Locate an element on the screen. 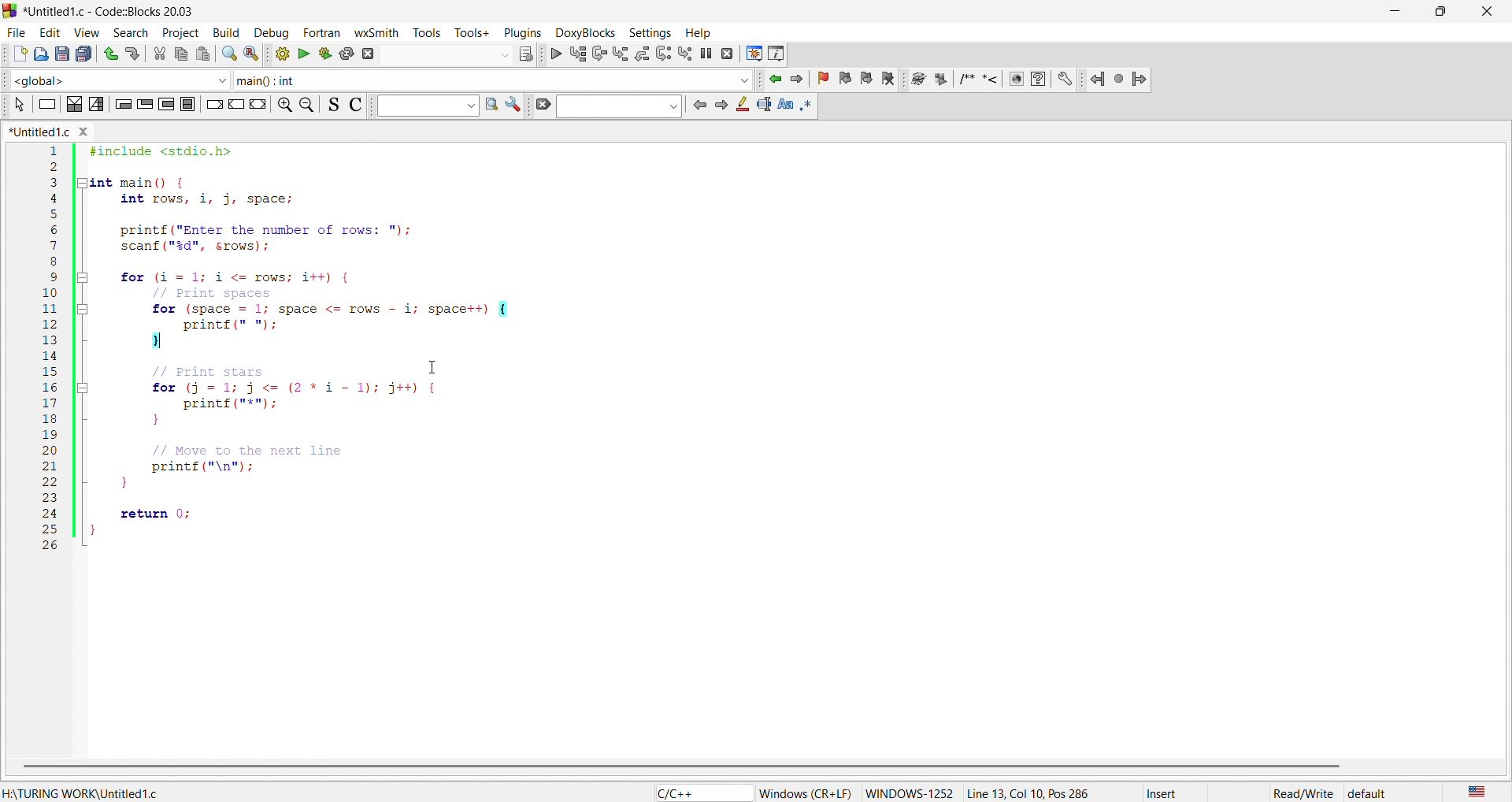 This screenshot has width=1512, height=802. plugins is located at coordinates (520, 33).